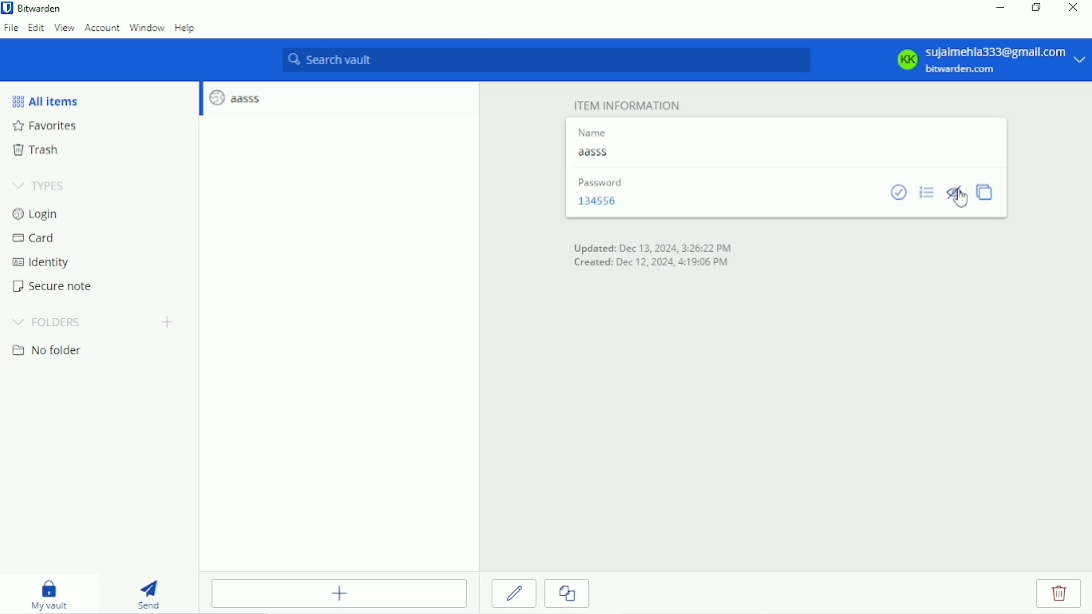 This screenshot has width=1092, height=614. Describe the element at coordinates (1001, 8) in the screenshot. I see `Minimize` at that location.